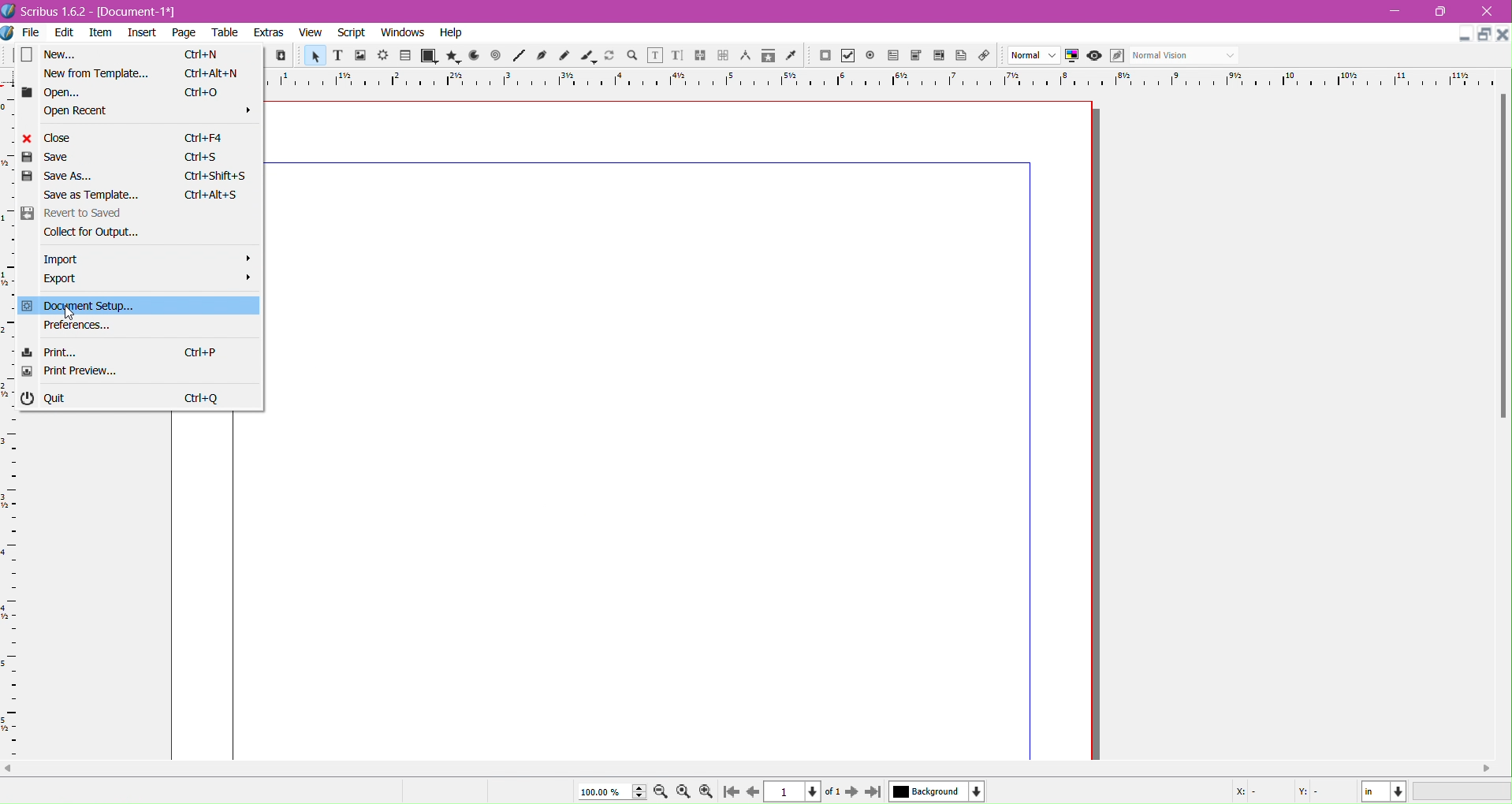  What do you see at coordinates (73, 306) in the screenshot?
I see `document setup` at bounding box center [73, 306].